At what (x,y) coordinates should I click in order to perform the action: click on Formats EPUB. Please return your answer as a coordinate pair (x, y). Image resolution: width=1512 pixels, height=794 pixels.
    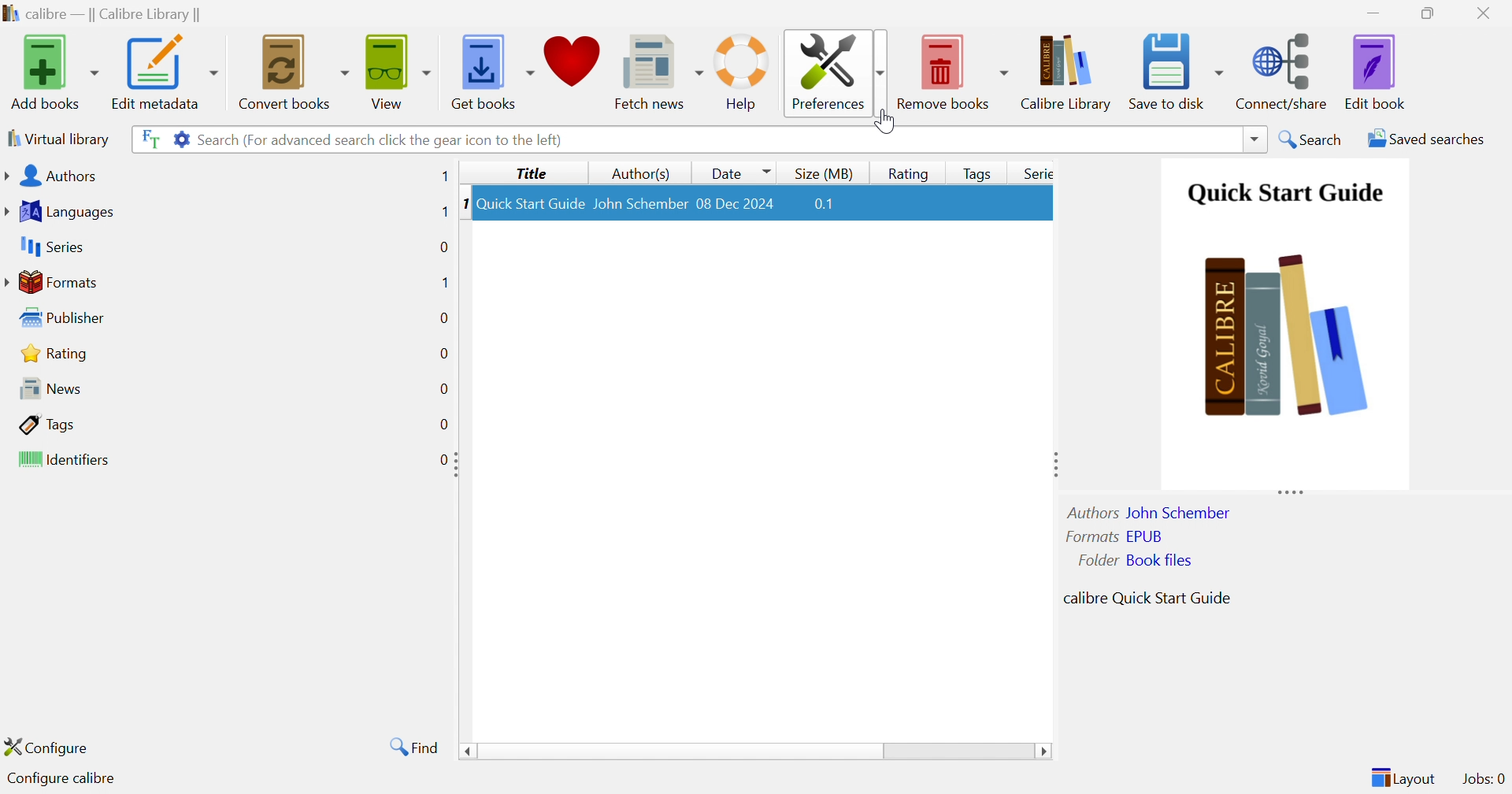
    Looking at the image, I should click on (1114, 536).